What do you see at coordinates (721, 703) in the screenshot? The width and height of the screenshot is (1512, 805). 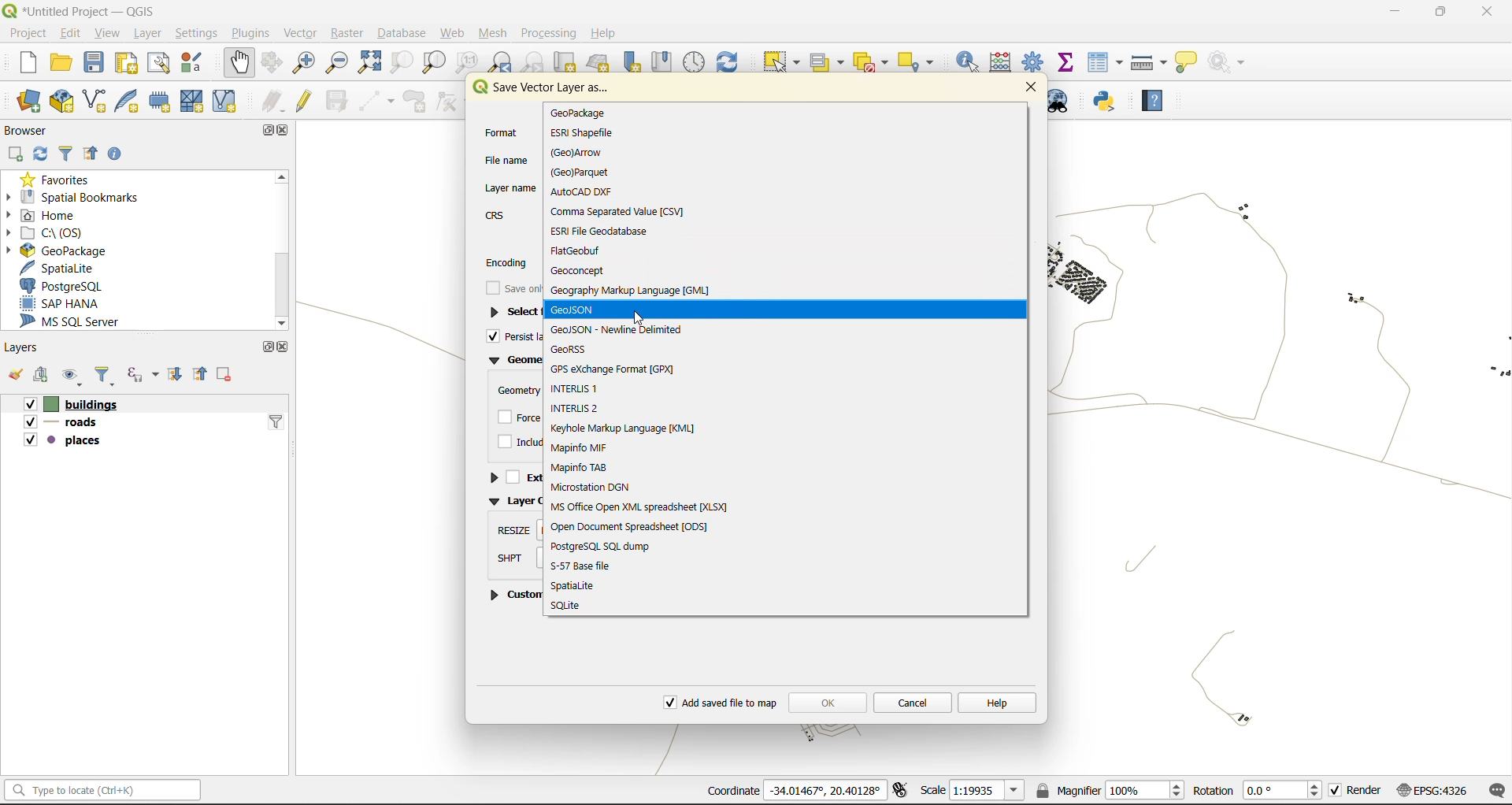 I see `add saved file to map` at bounding box center [721, 703].